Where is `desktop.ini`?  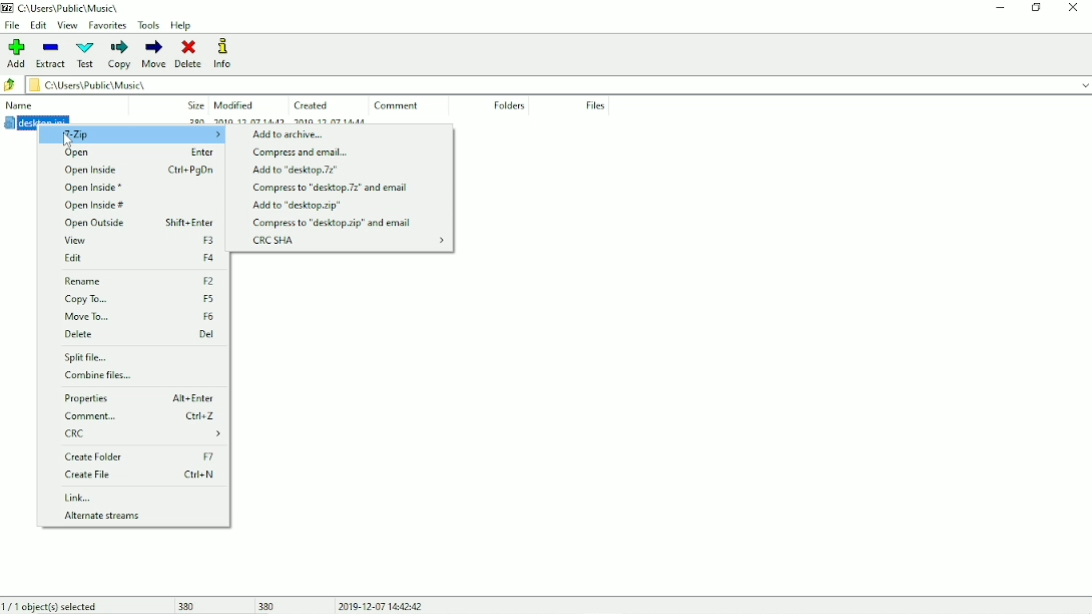 desktop.ini is located at coordinates (36, 120).